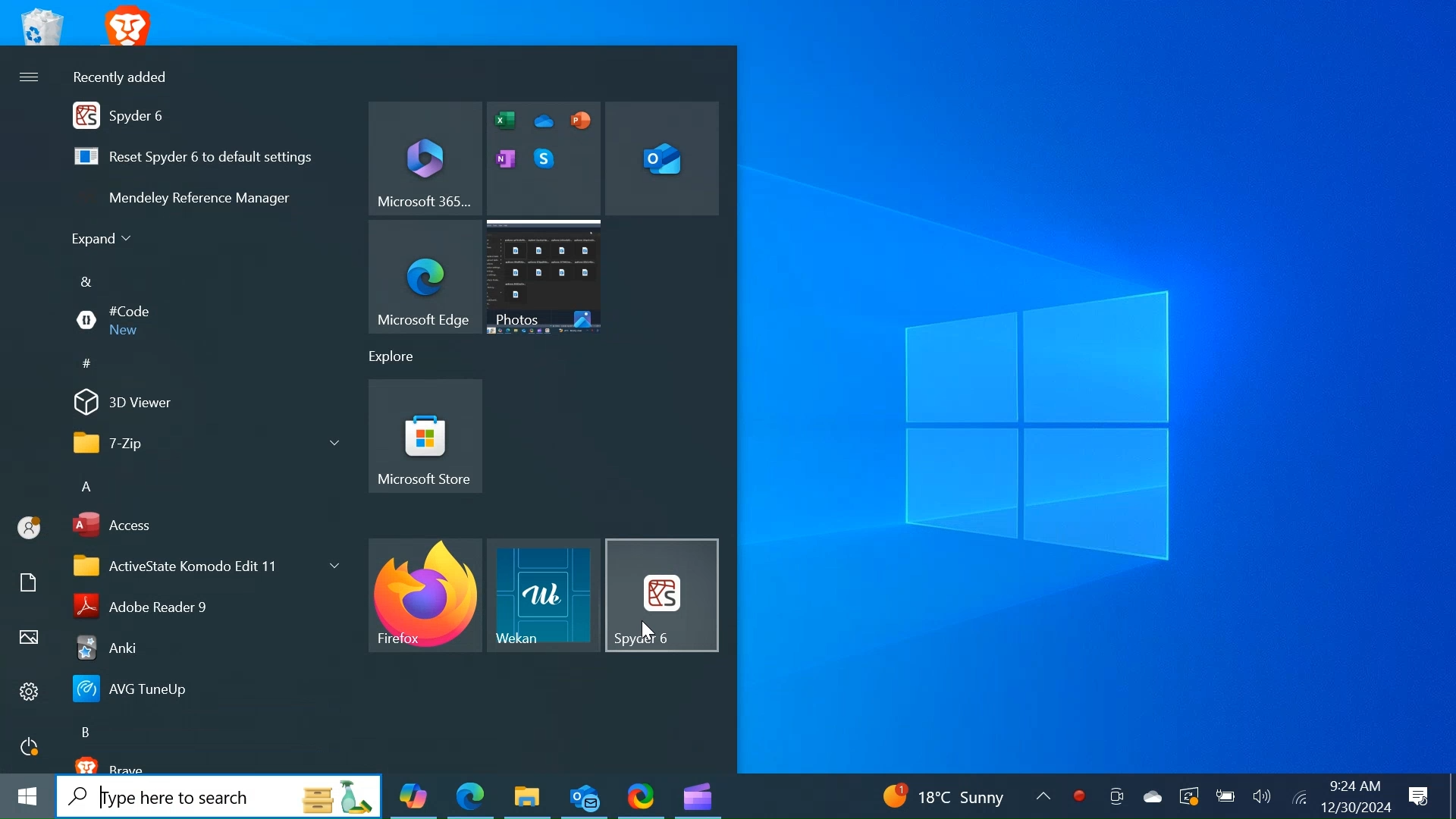 This screenshot has width=1456, height=819. What do you see at coordinates (208, 158) in the screenshot?
I see `Reset Spyder to default settings` at bounding box center [208, 158].